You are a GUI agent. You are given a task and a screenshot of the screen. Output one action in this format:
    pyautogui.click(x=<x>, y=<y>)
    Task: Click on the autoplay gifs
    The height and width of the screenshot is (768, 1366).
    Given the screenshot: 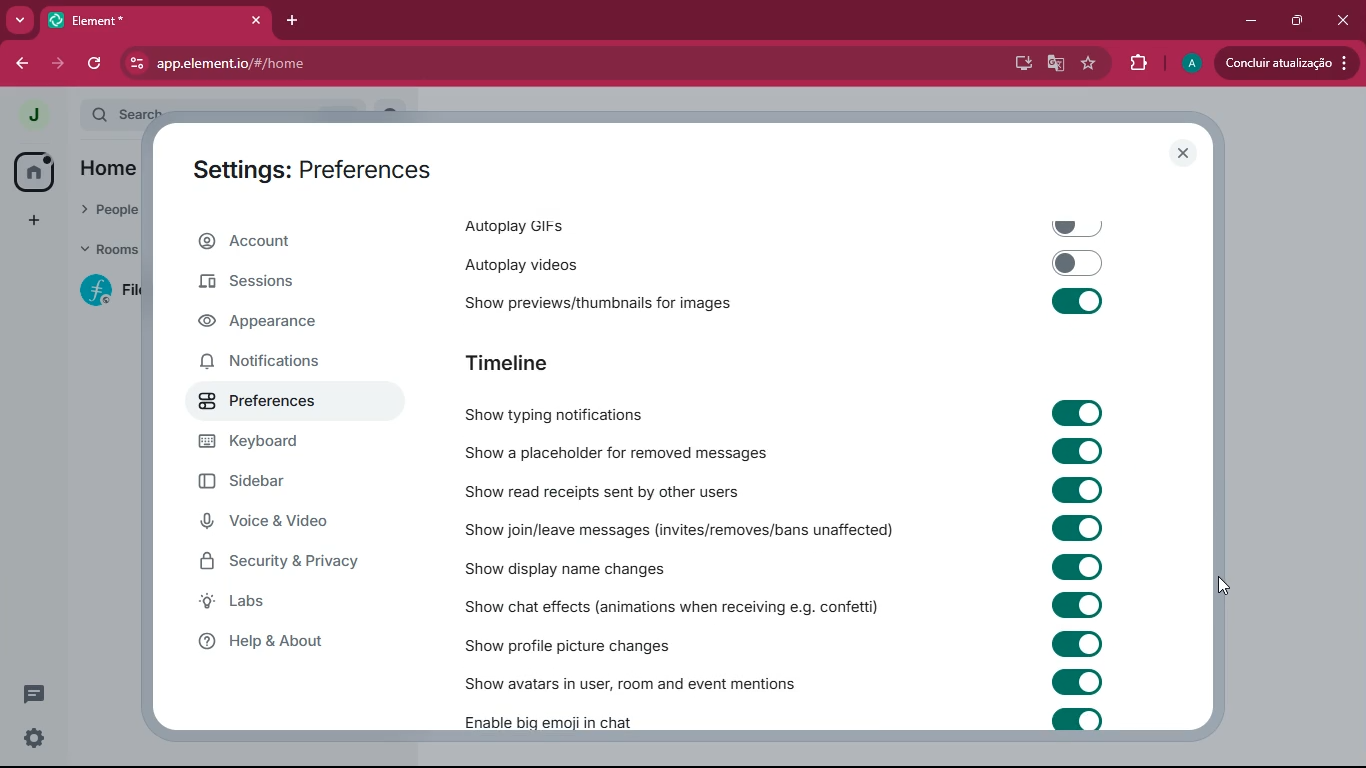 What is the action you would take?
    pyautogui.click(x=797, y=223)
    